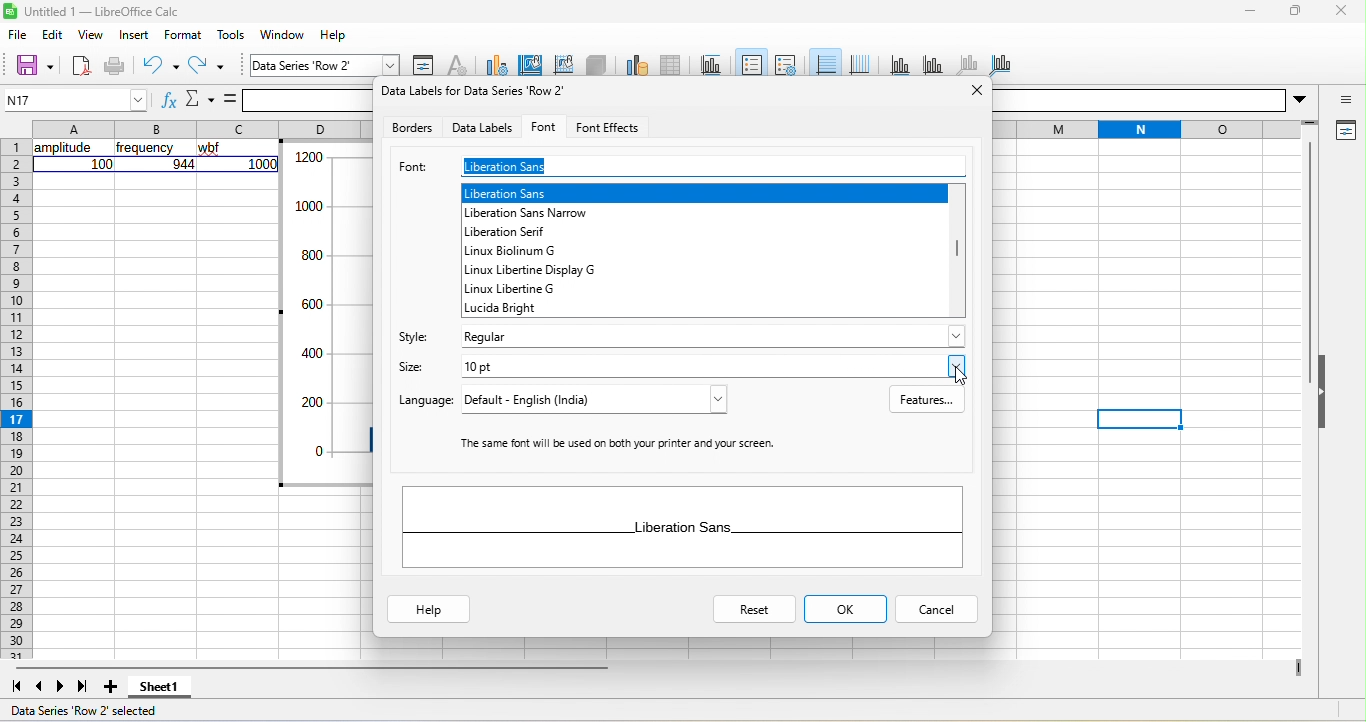 The height and width of the screenshot is (722, 1366). What do you see at coordinates (926, 401) in the screenshot?
I see `features` at bounding box center [926, 401].